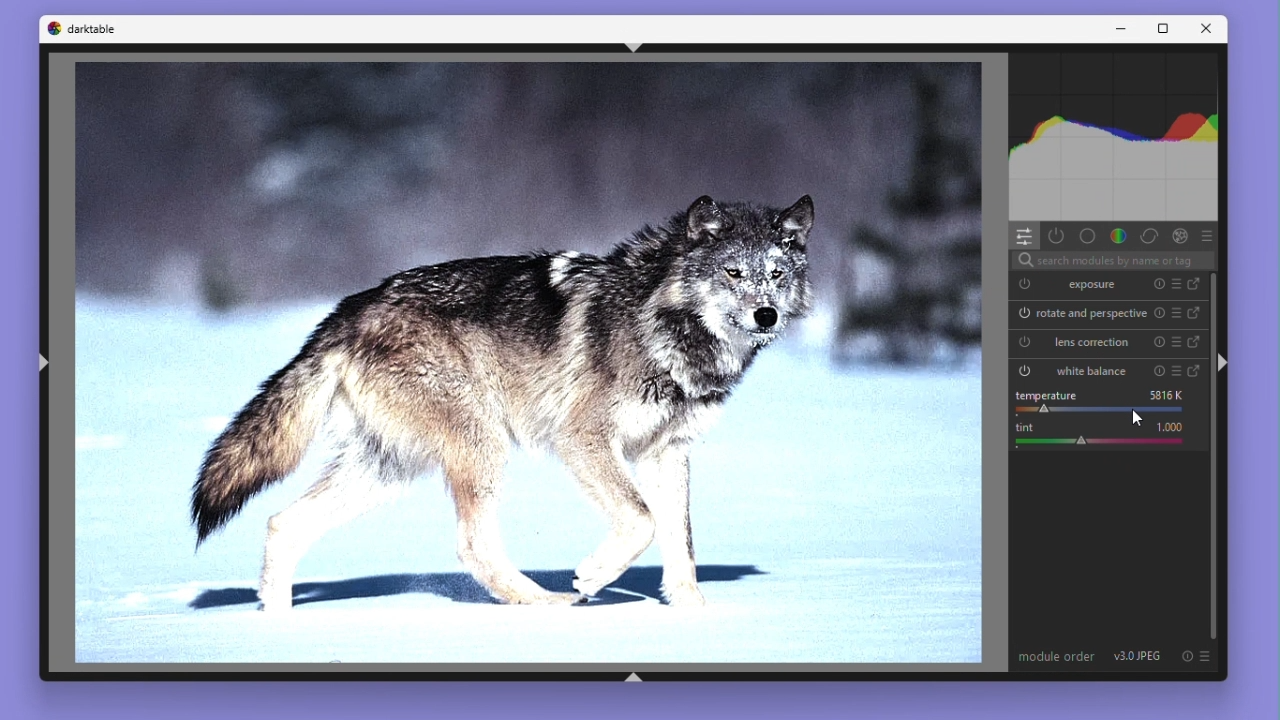  I want to click on Rotate and perspective, so click(1083, 314).